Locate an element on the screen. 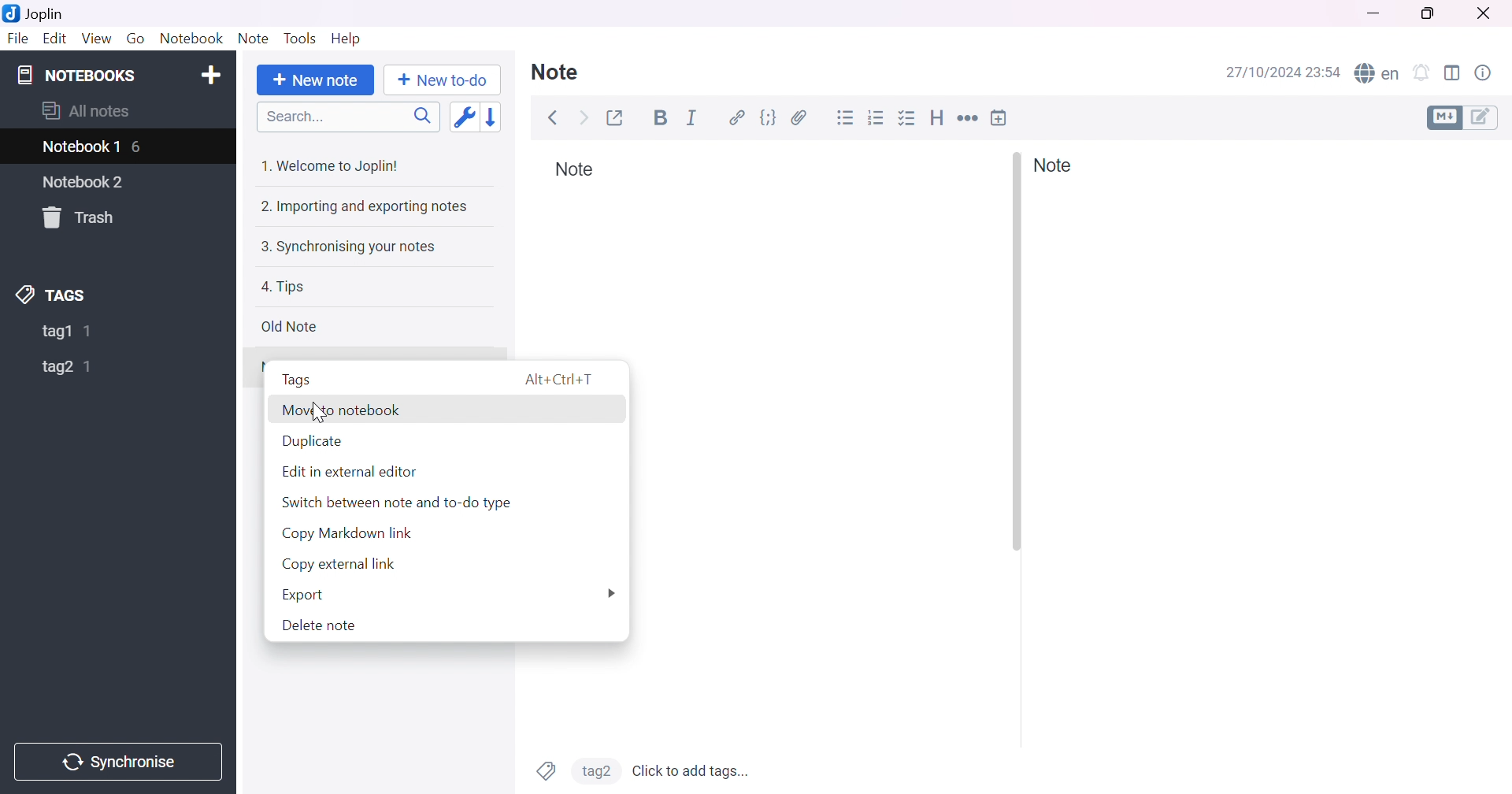 This screenshot has height=794, width=1512. tag2 is located at coordinates (58, 367).